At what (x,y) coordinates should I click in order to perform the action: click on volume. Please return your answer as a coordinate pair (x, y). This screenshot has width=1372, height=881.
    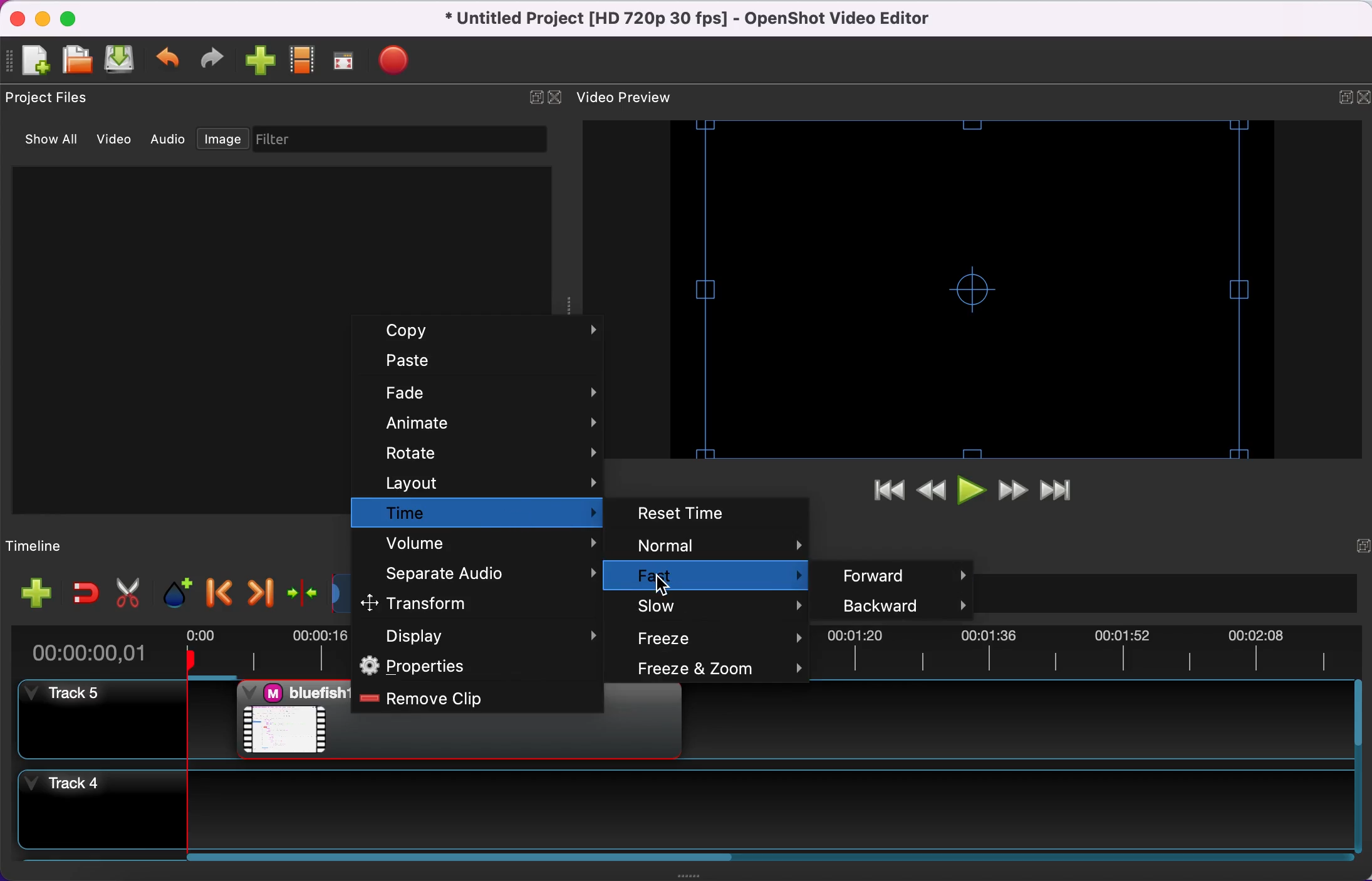
    Looking at the image, I should click on (481, 545).